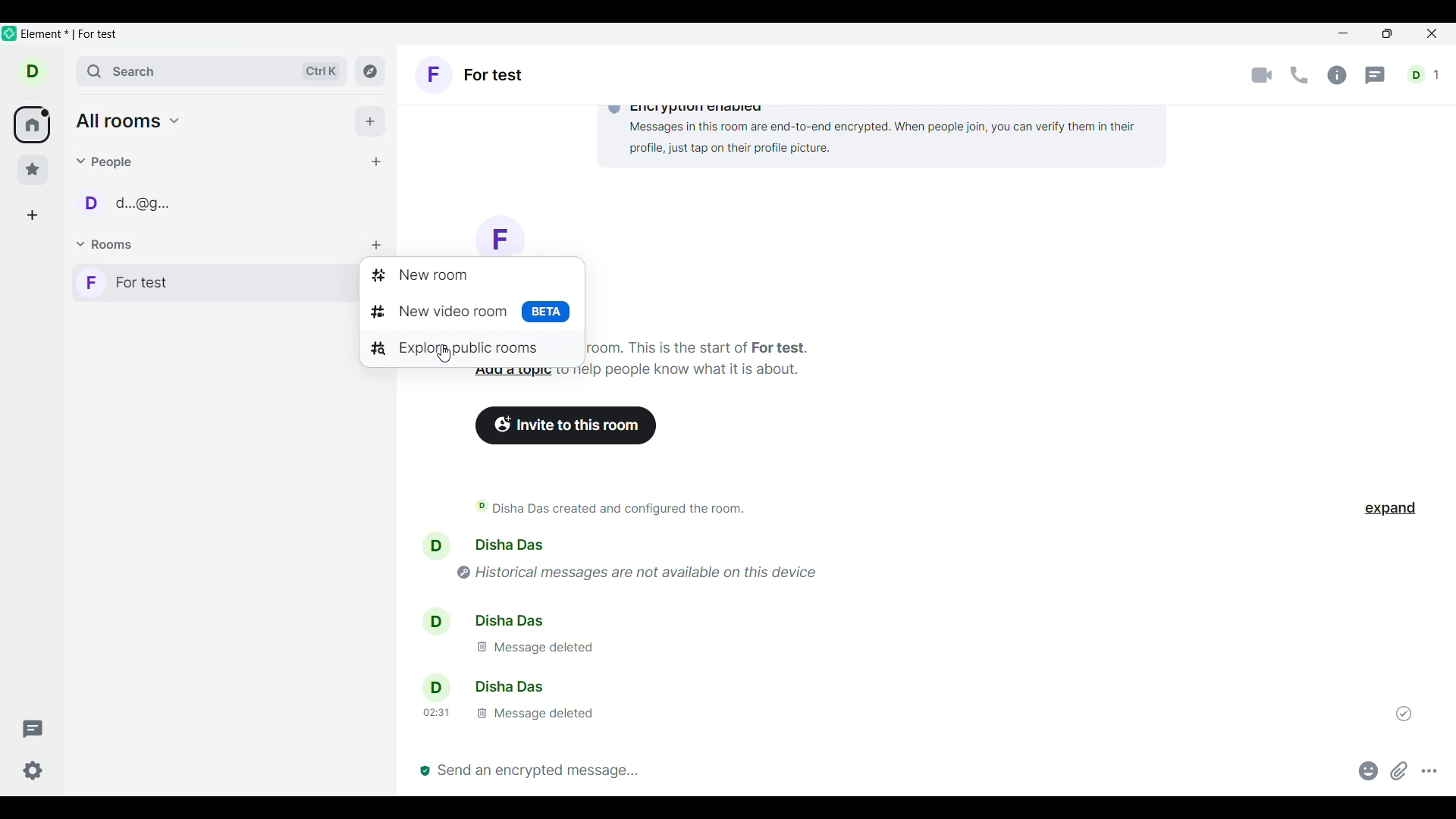  Describe the element at coordinates (31, 124) in the screenshot. I see `Home` at that location.